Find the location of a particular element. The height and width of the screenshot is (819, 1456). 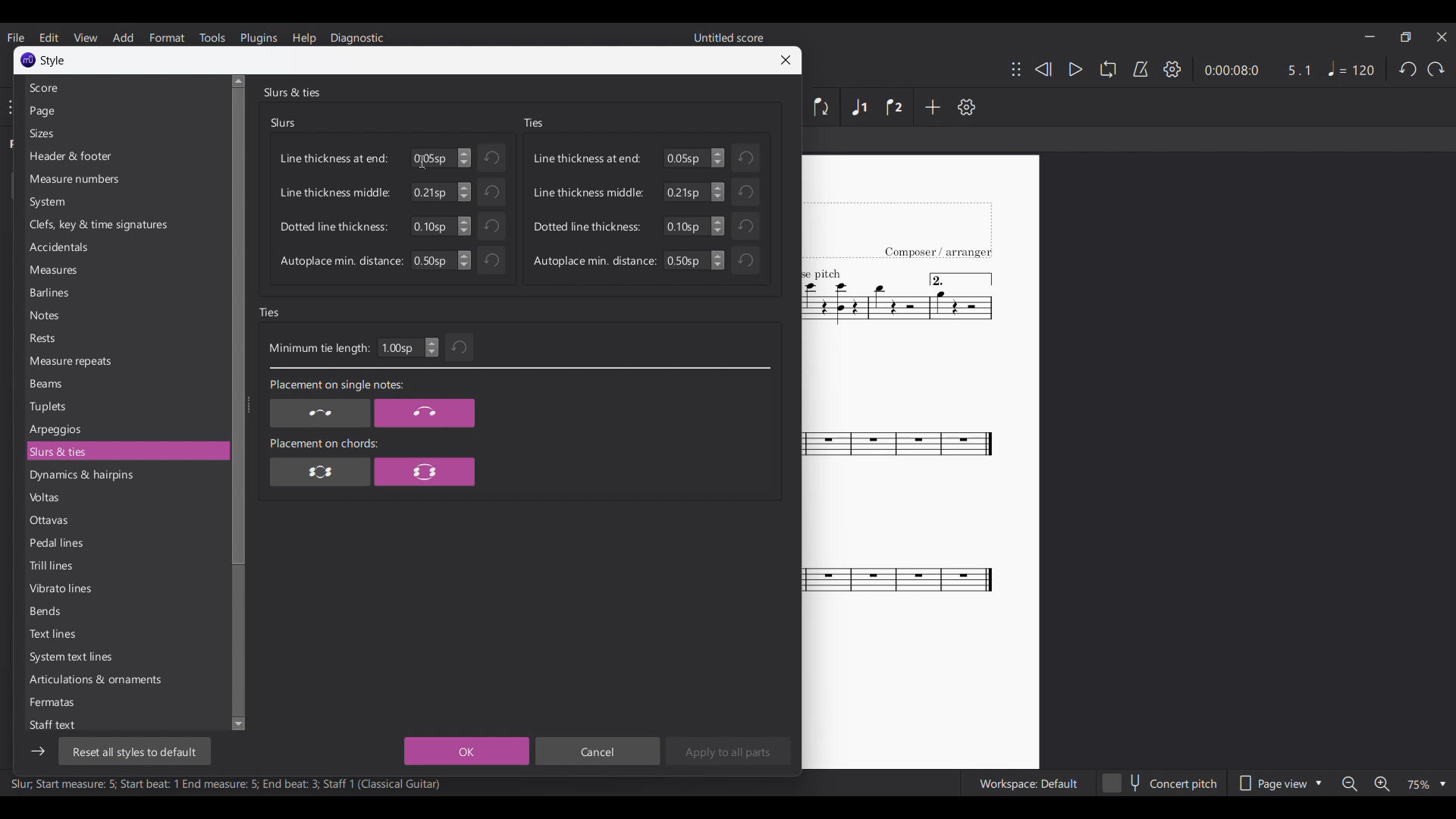

Sizes is located at coordinates (124, 133).